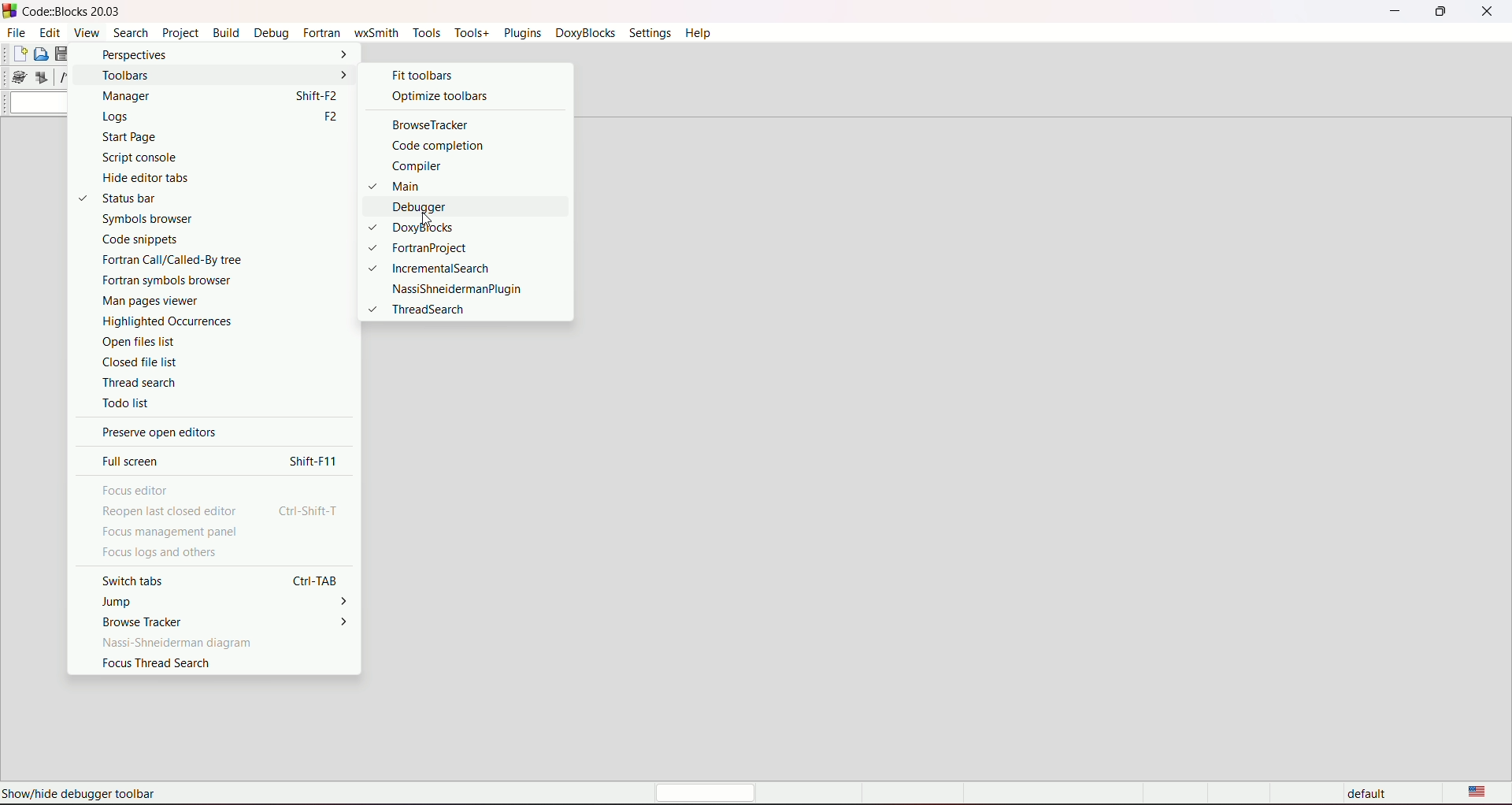 This screenshot has width=1512, height=805. Describe the element at coordinates (196, 75) in the screenshot. I see `toolbars` at that location.